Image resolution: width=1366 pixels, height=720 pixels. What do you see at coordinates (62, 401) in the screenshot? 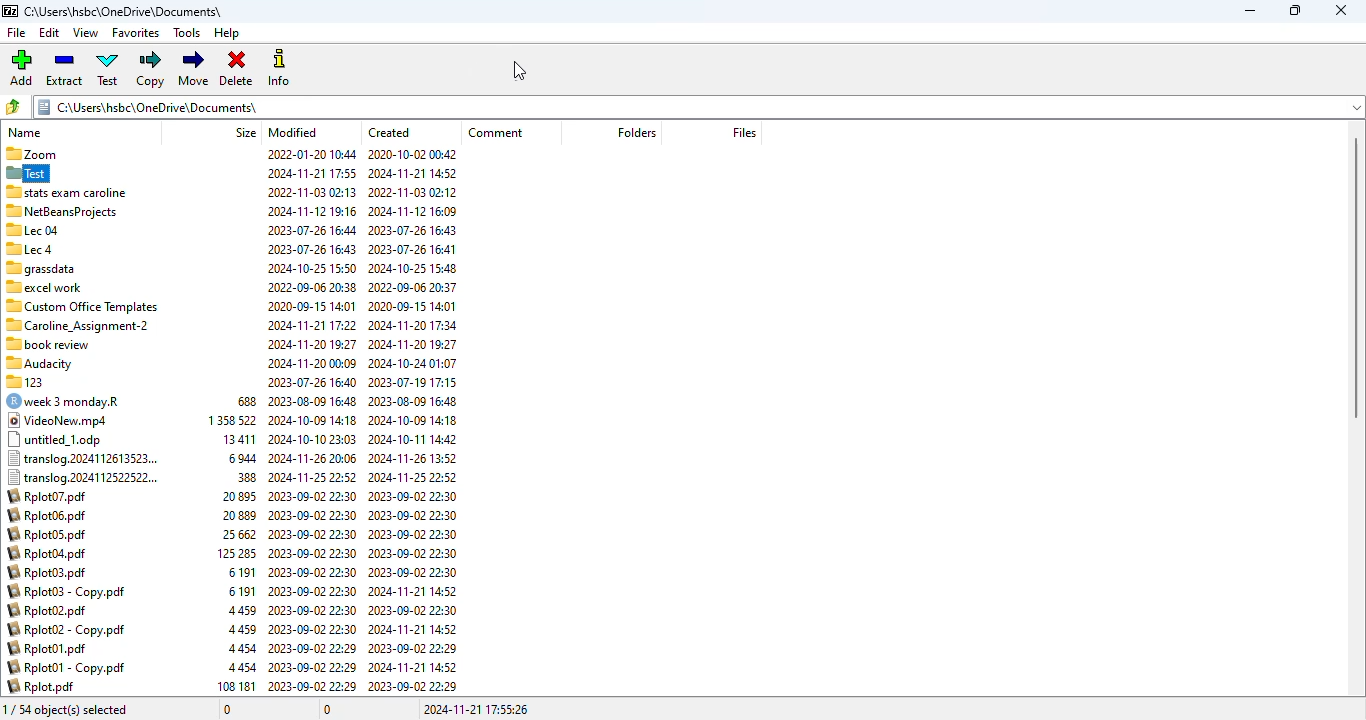
I see `week 3 monday.R` at bounding box center [62, 401].